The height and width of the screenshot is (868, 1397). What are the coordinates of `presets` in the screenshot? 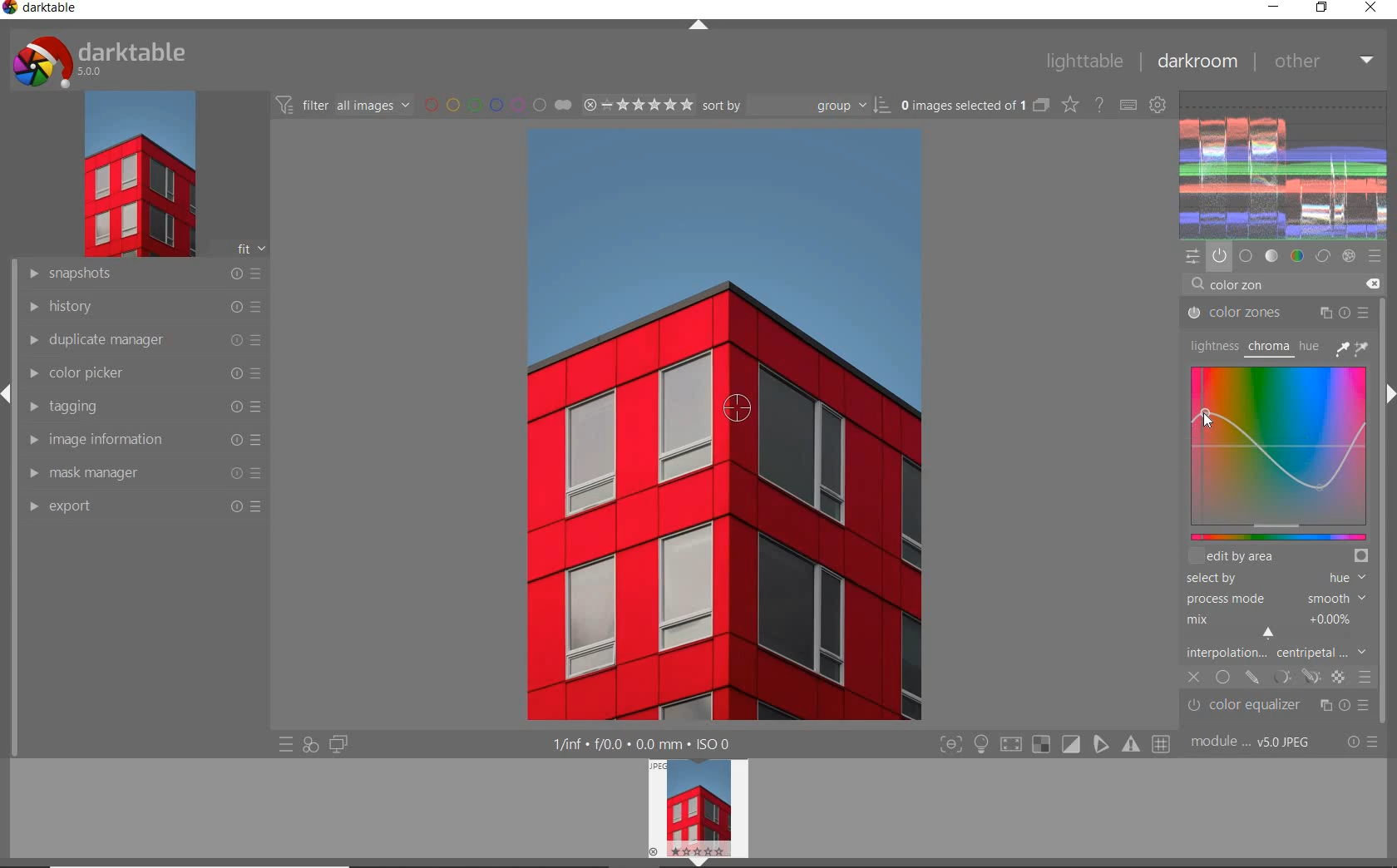 It's located at (1375, 254).